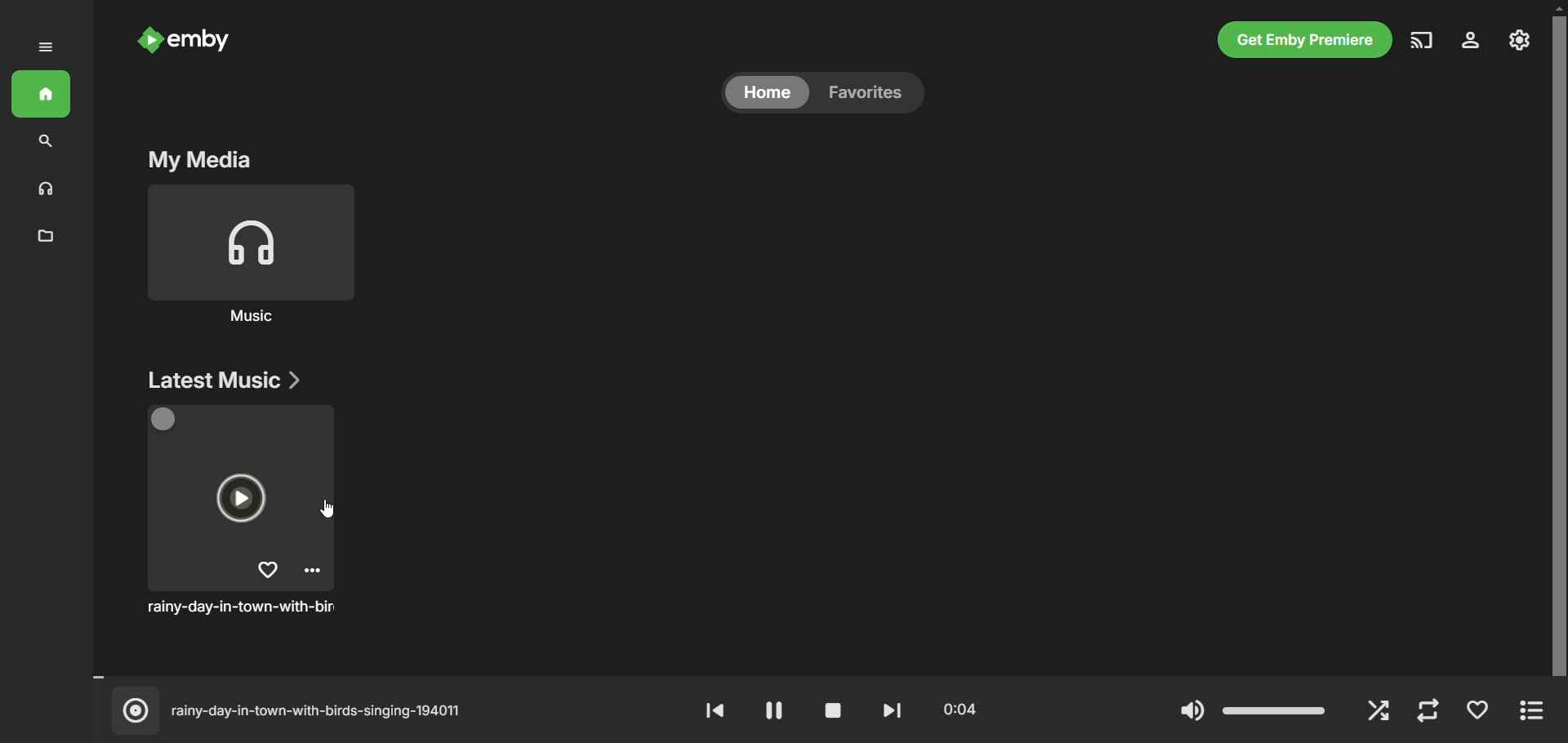 The image size is (1568, 743). Describe the element at coordinates (238, 499) in the screenshot. I see `play` at that location.